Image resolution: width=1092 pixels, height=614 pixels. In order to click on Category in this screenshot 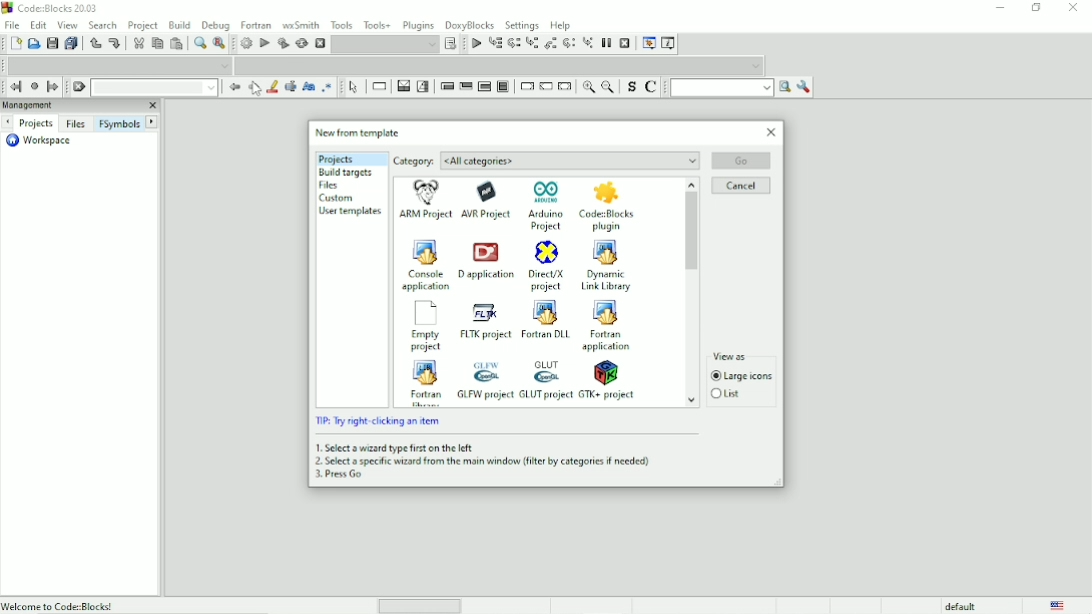, I will do `click(546, 161)`.